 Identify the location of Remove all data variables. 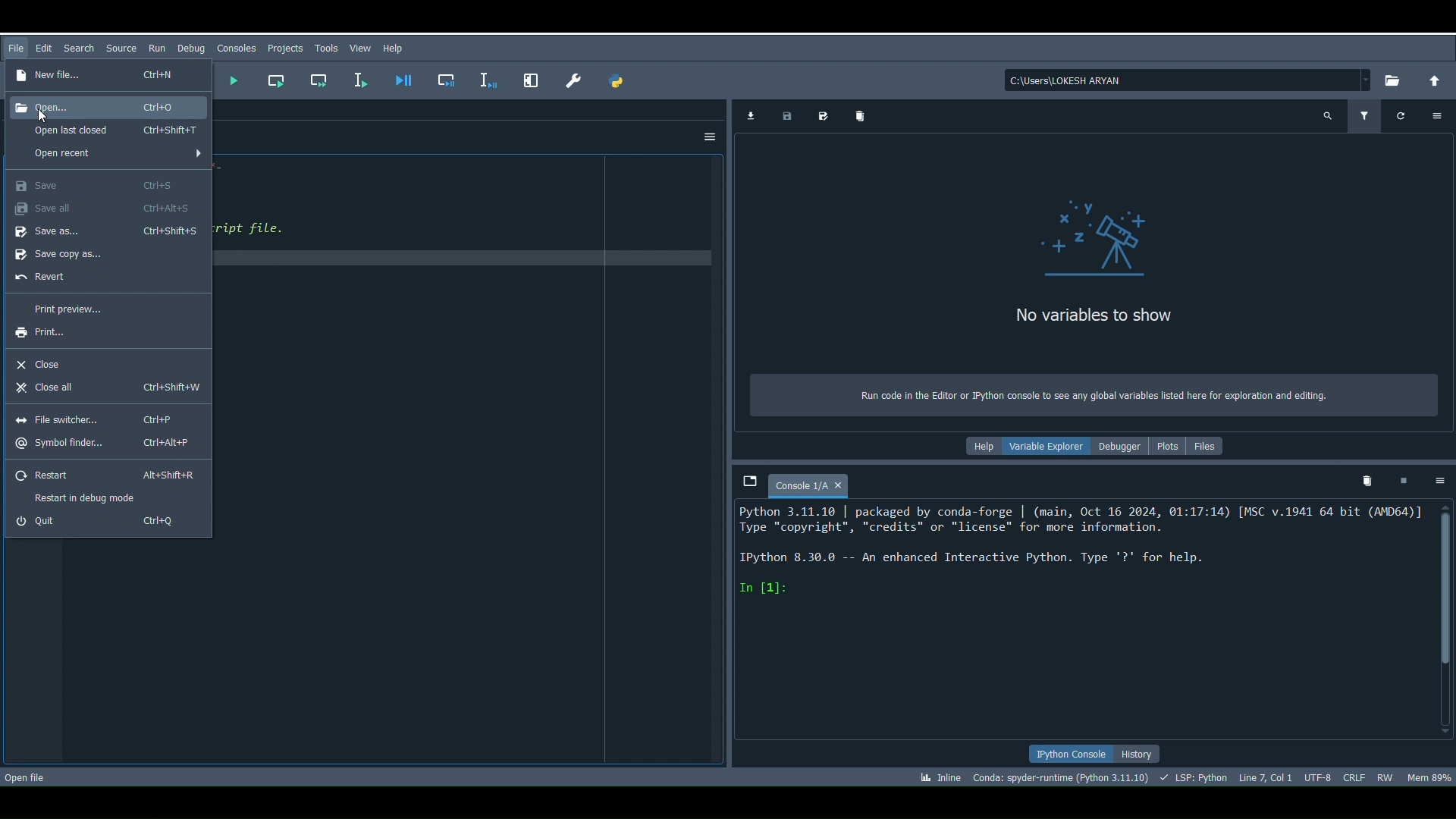
(855, 113).